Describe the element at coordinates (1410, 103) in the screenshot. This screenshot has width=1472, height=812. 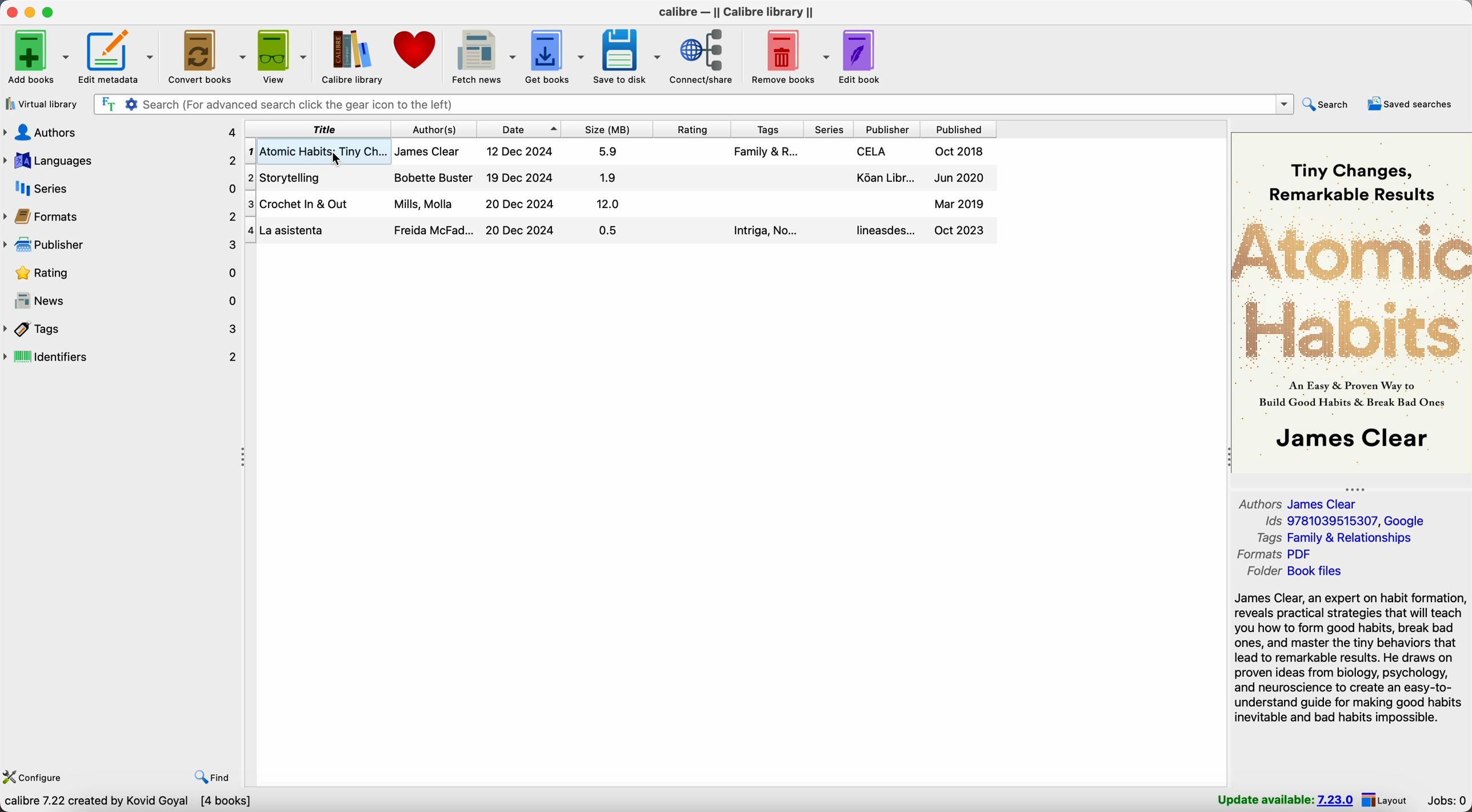
I see `saved searches` at that location.